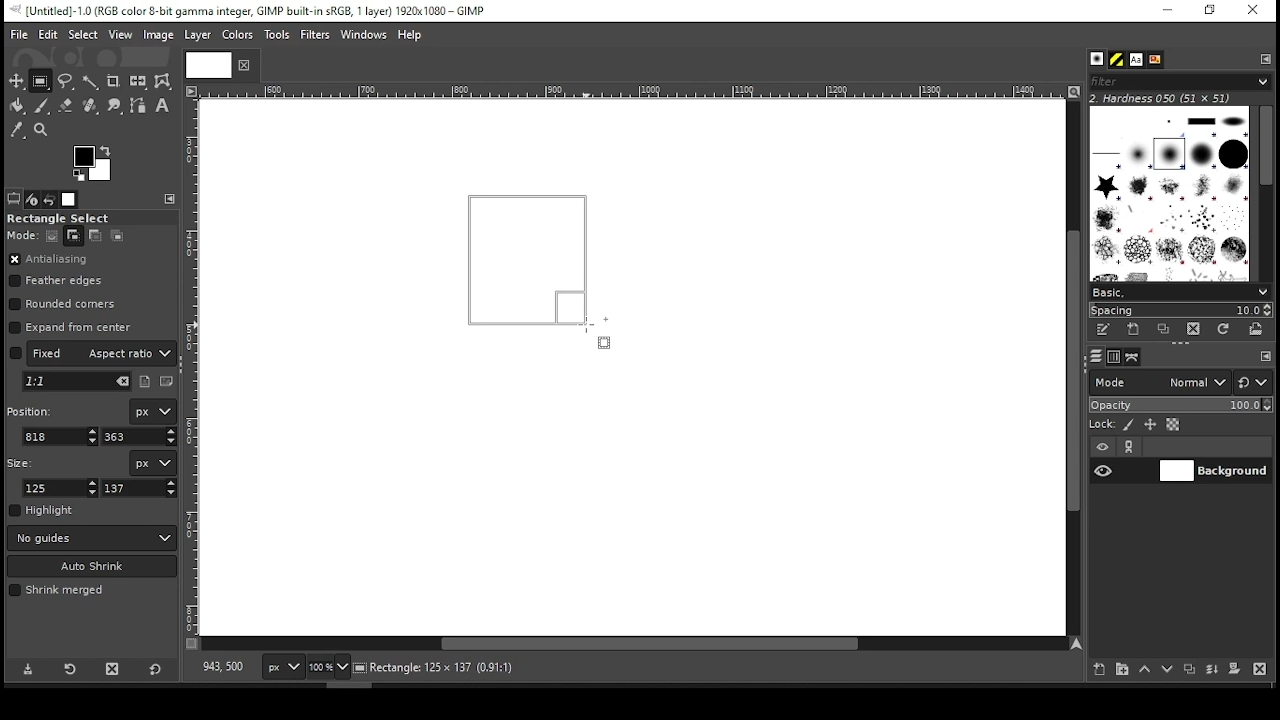  I want to click on position, so click(33, 409).